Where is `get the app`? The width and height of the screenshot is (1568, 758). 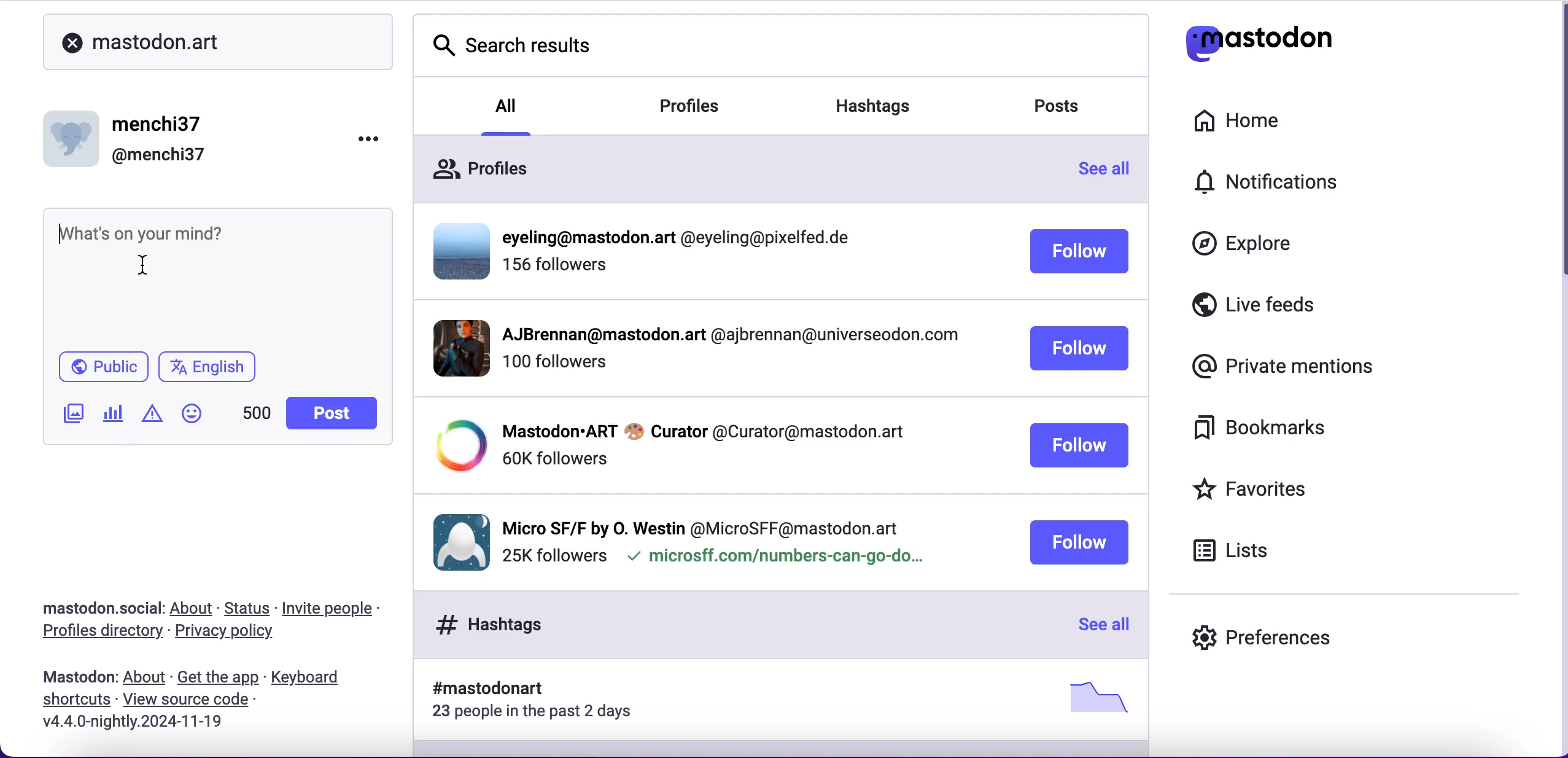 get the app is located at coordinates (217, 678).